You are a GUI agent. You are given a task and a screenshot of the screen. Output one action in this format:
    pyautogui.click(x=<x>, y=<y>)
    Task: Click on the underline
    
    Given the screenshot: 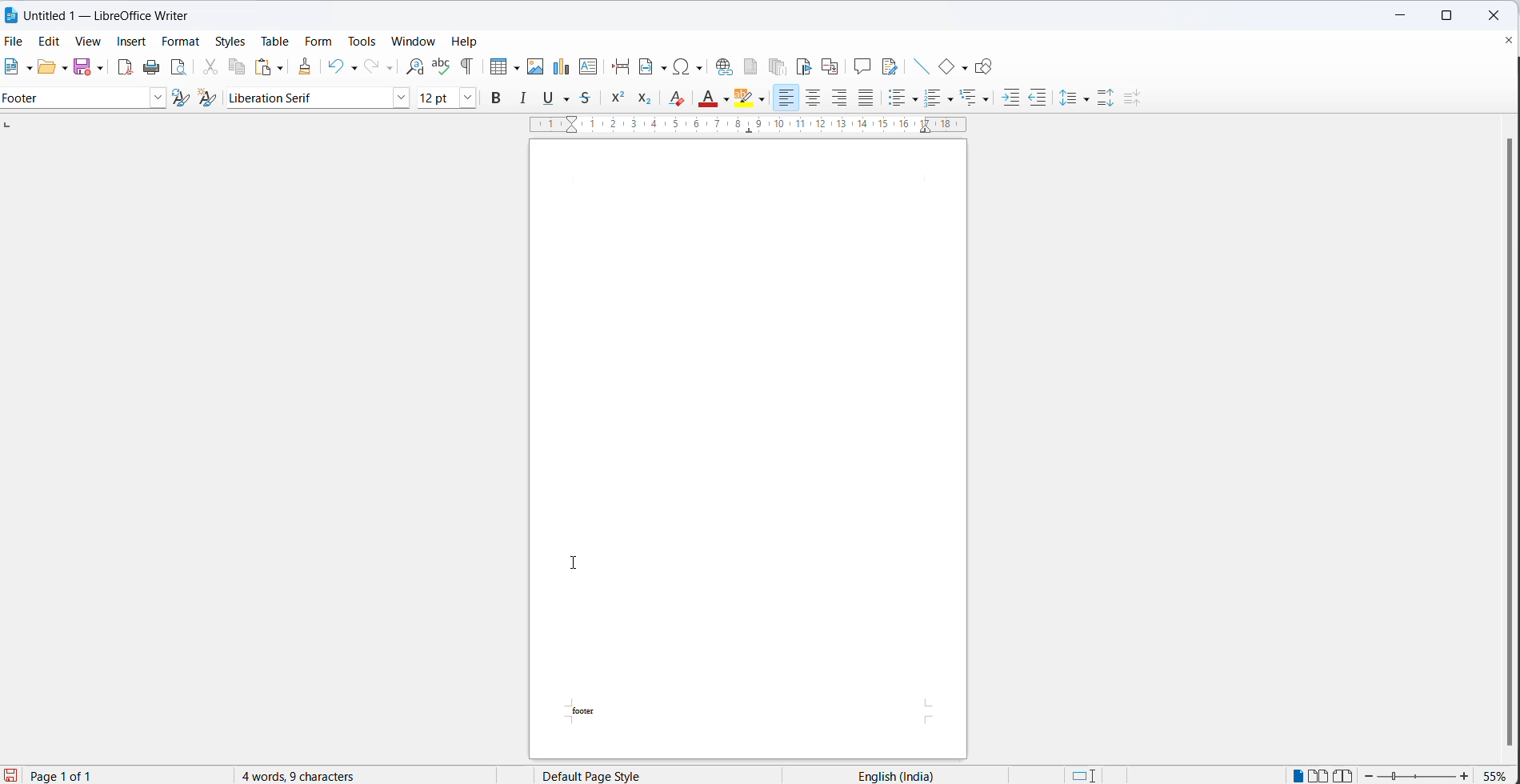 What is the action you would take?
    pyautogui.click(x=550, y=98)
    